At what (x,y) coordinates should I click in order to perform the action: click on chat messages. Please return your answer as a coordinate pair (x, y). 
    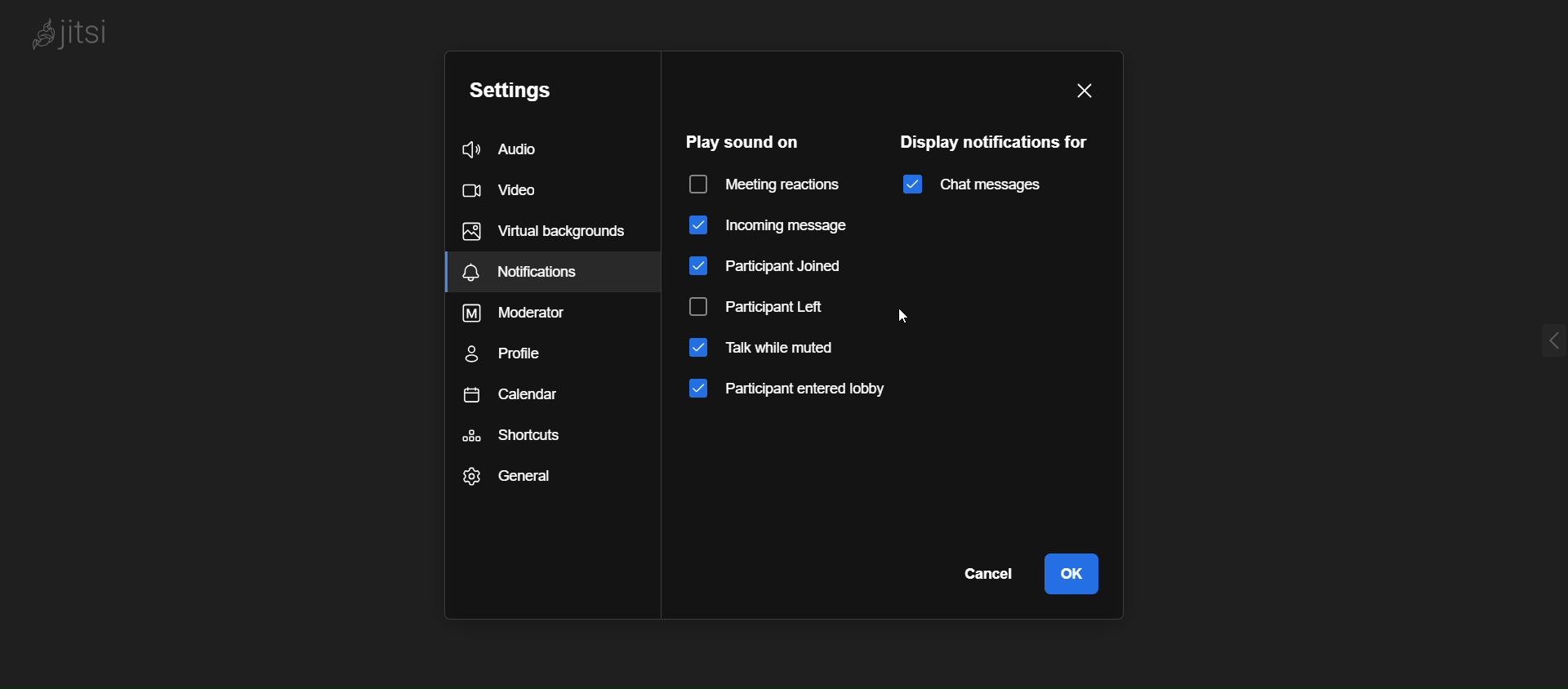
    Looking at the image, I should click on (972, 184).